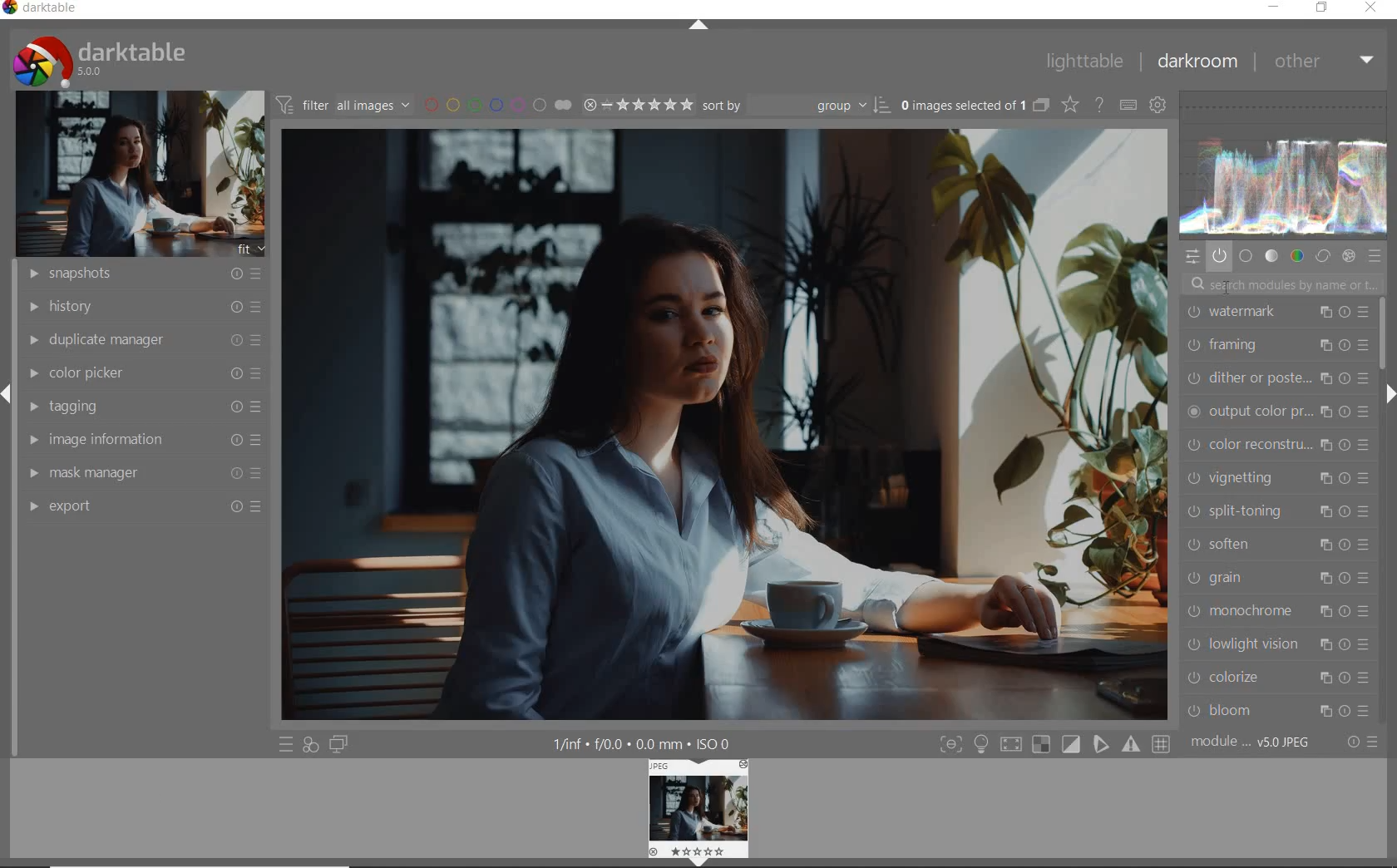 The image size is (1397, 868). What do you see at coordinates (1278, 344) in the screenshot?
I see `framing` at bounding box center [1278, 344].